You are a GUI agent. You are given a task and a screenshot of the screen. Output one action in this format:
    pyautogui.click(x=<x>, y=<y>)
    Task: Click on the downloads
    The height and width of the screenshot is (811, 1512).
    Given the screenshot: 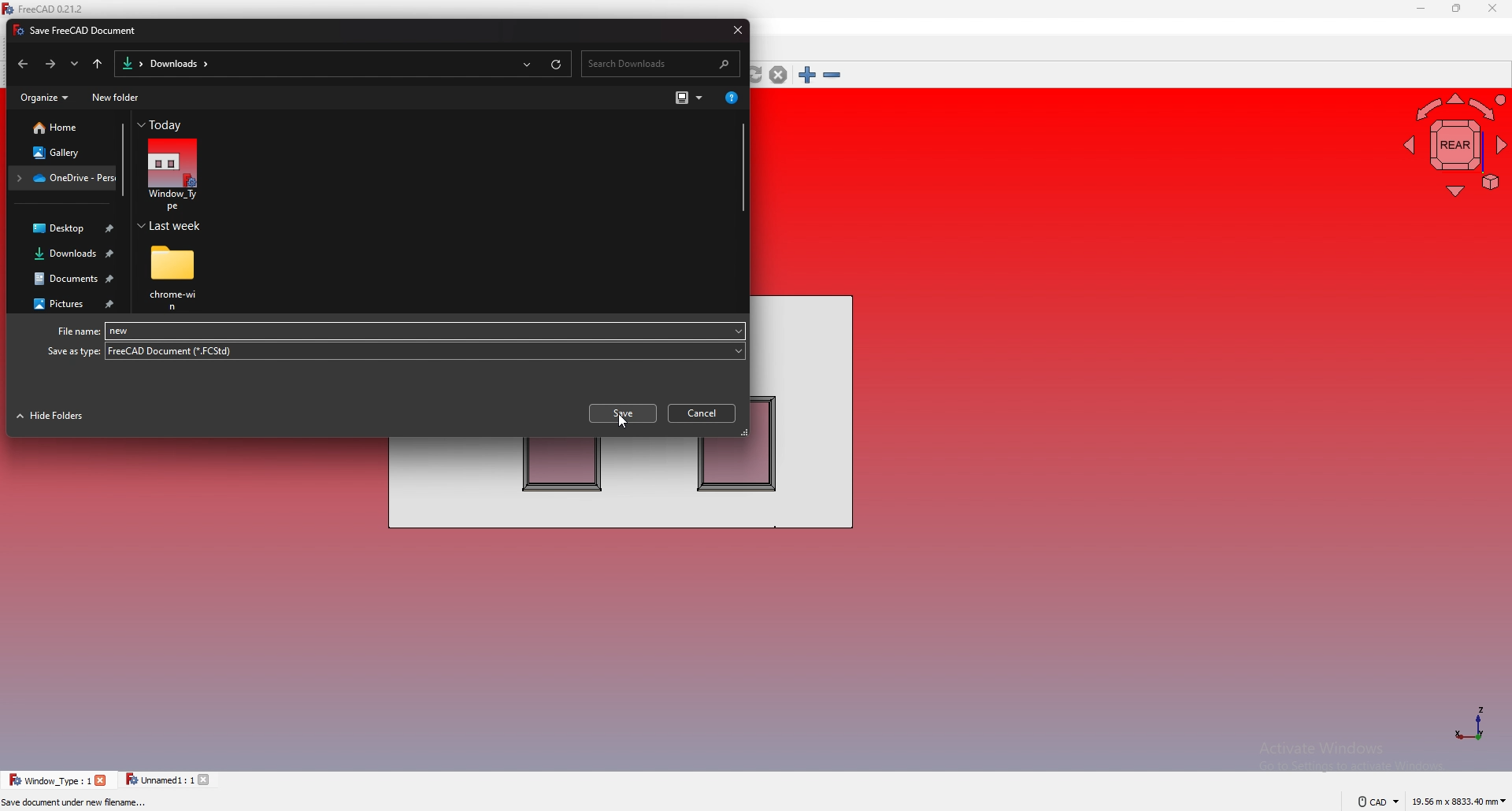 What is the action you would take?
    pyautogui.click(x=65, y=254)
    